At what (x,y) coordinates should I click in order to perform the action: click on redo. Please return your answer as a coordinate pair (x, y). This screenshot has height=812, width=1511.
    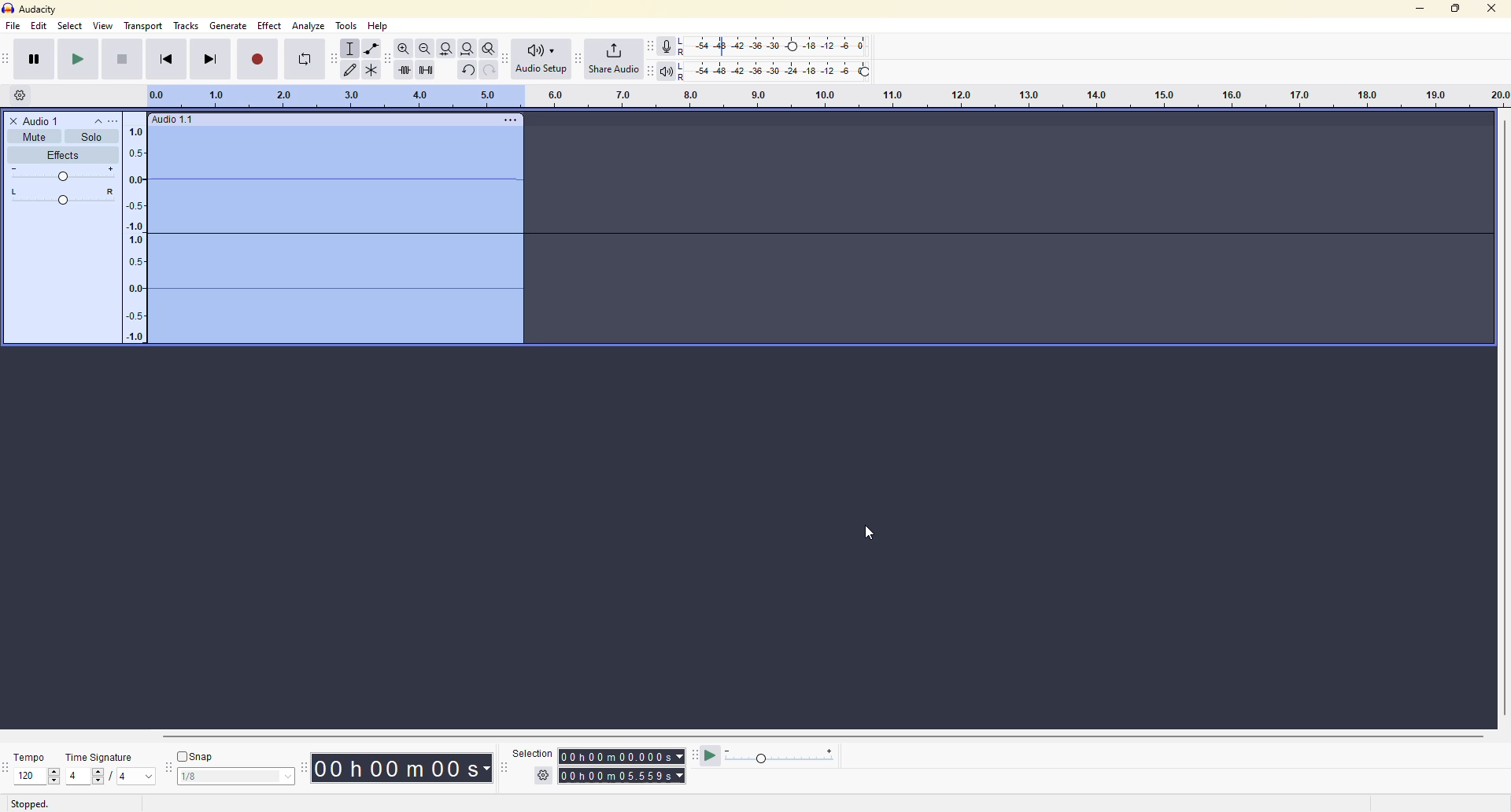
    Looking at the image, I should click on (489, 70).